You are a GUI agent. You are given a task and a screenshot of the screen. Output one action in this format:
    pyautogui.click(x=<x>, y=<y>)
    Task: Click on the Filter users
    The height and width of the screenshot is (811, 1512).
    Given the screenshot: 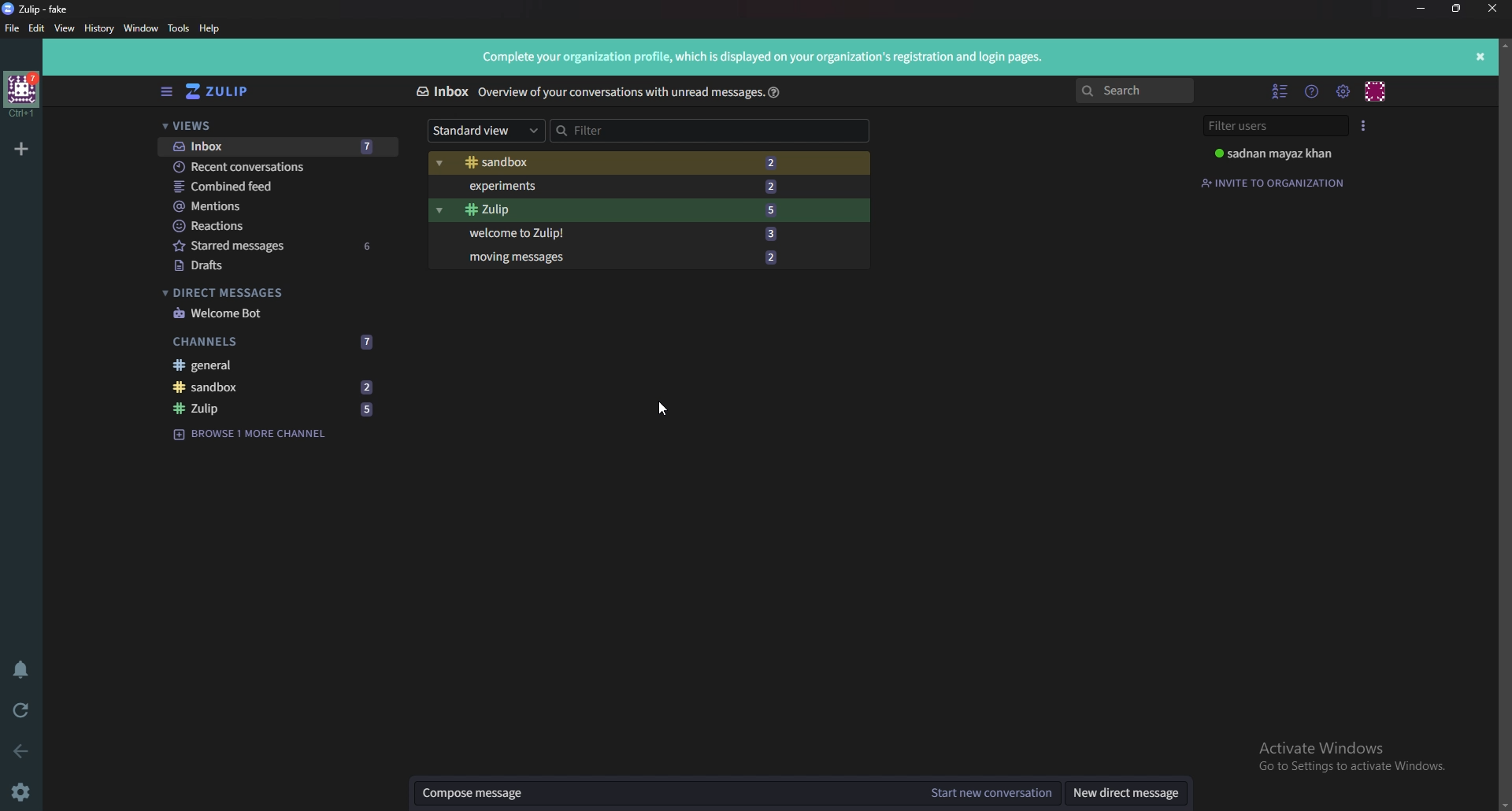 What is the action you would take?
    pyautogui.click(x=1272, y=127)
    